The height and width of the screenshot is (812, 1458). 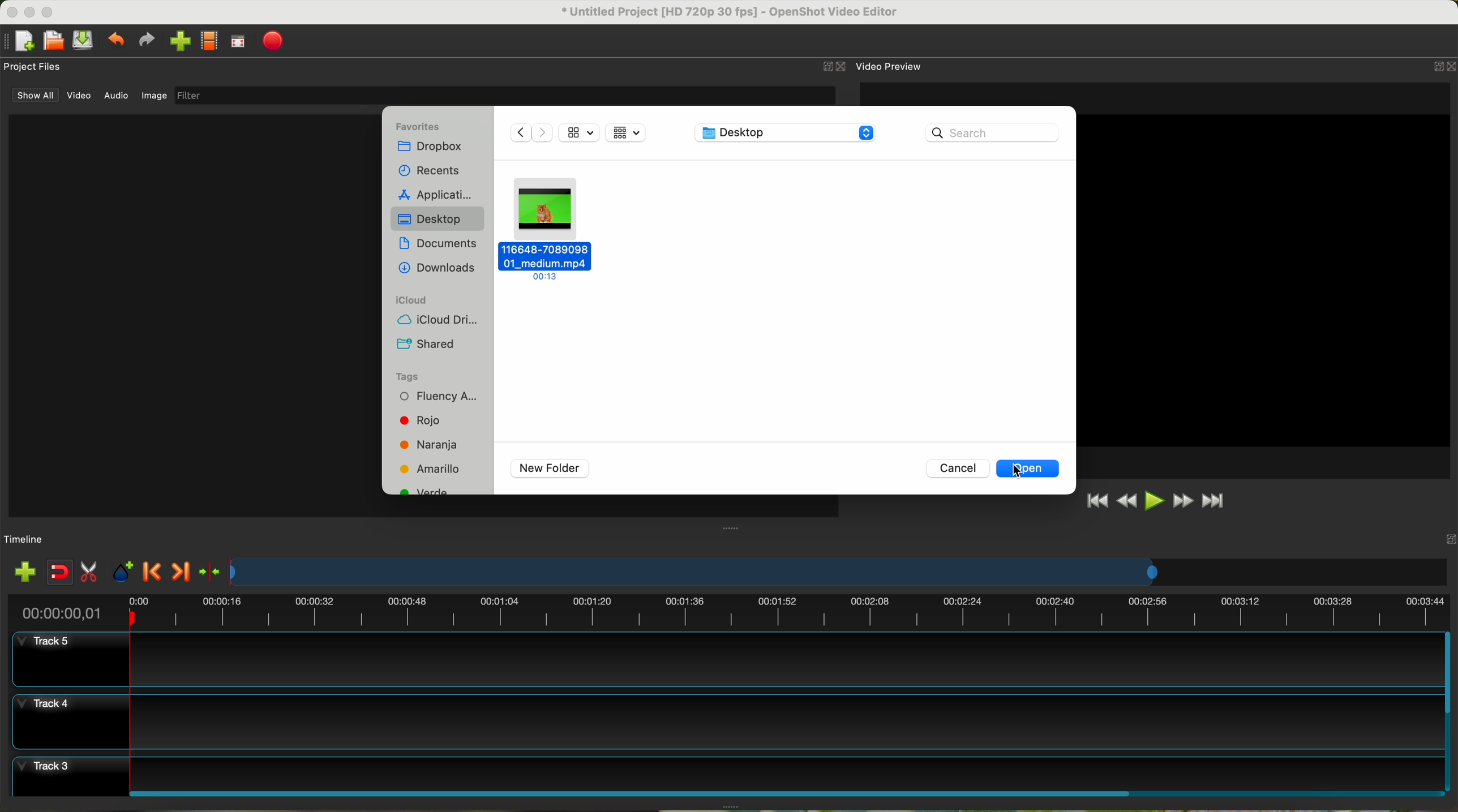 I want to click on new project, so click(x=19, y=41).